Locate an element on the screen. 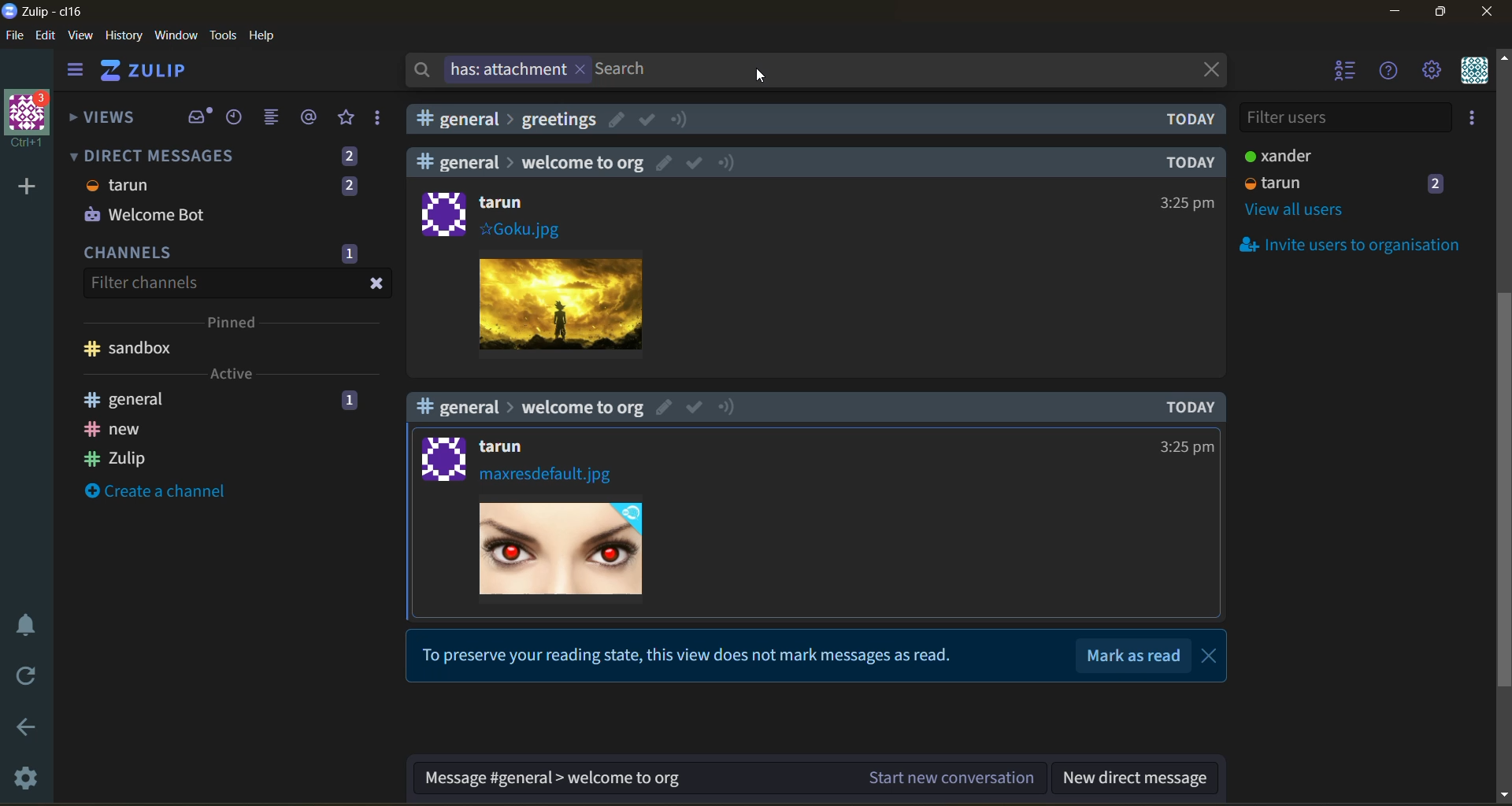  mark is located at coordinates (647, 120).